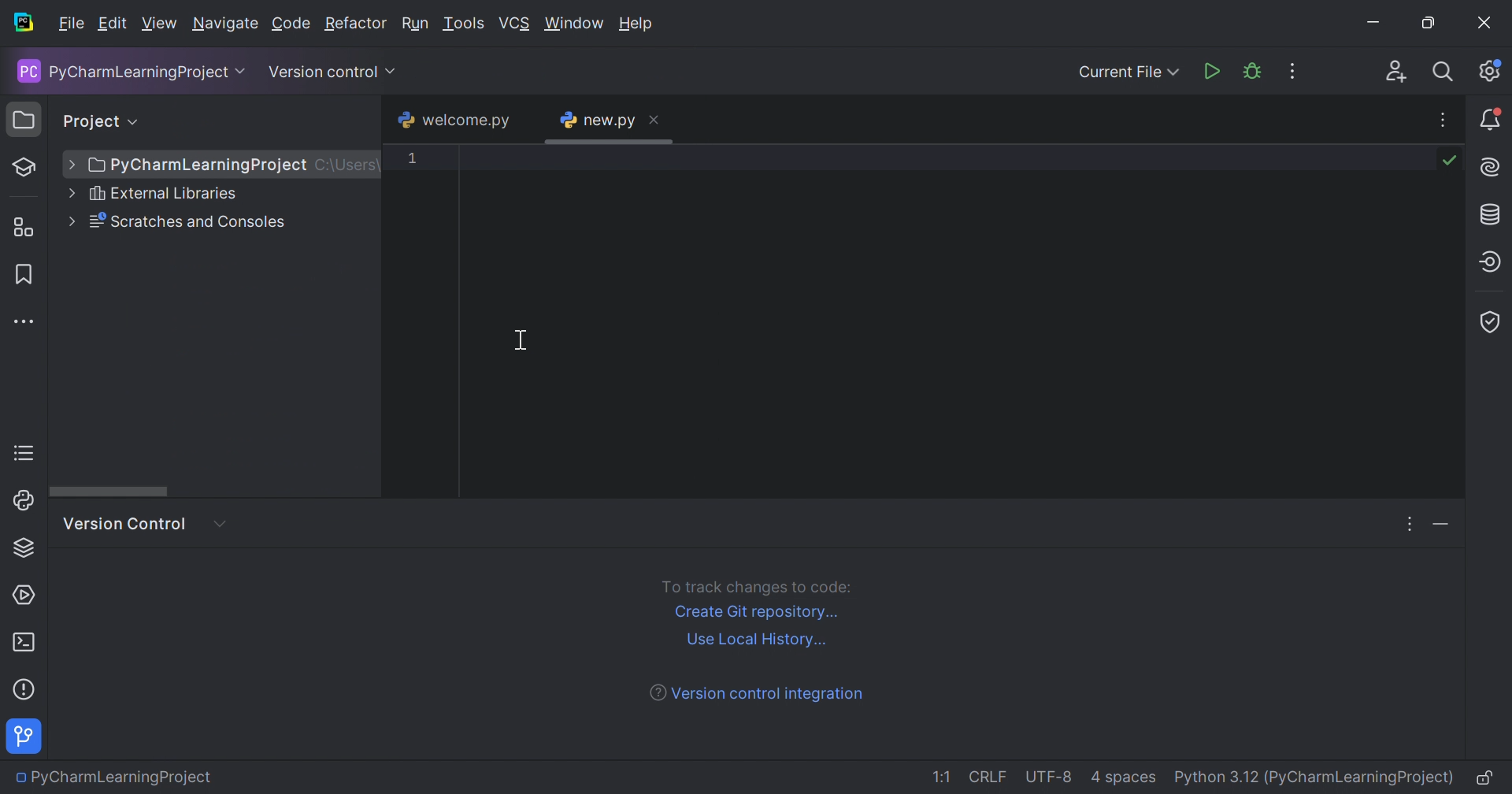  I want to click on Code, so click(291, 24).